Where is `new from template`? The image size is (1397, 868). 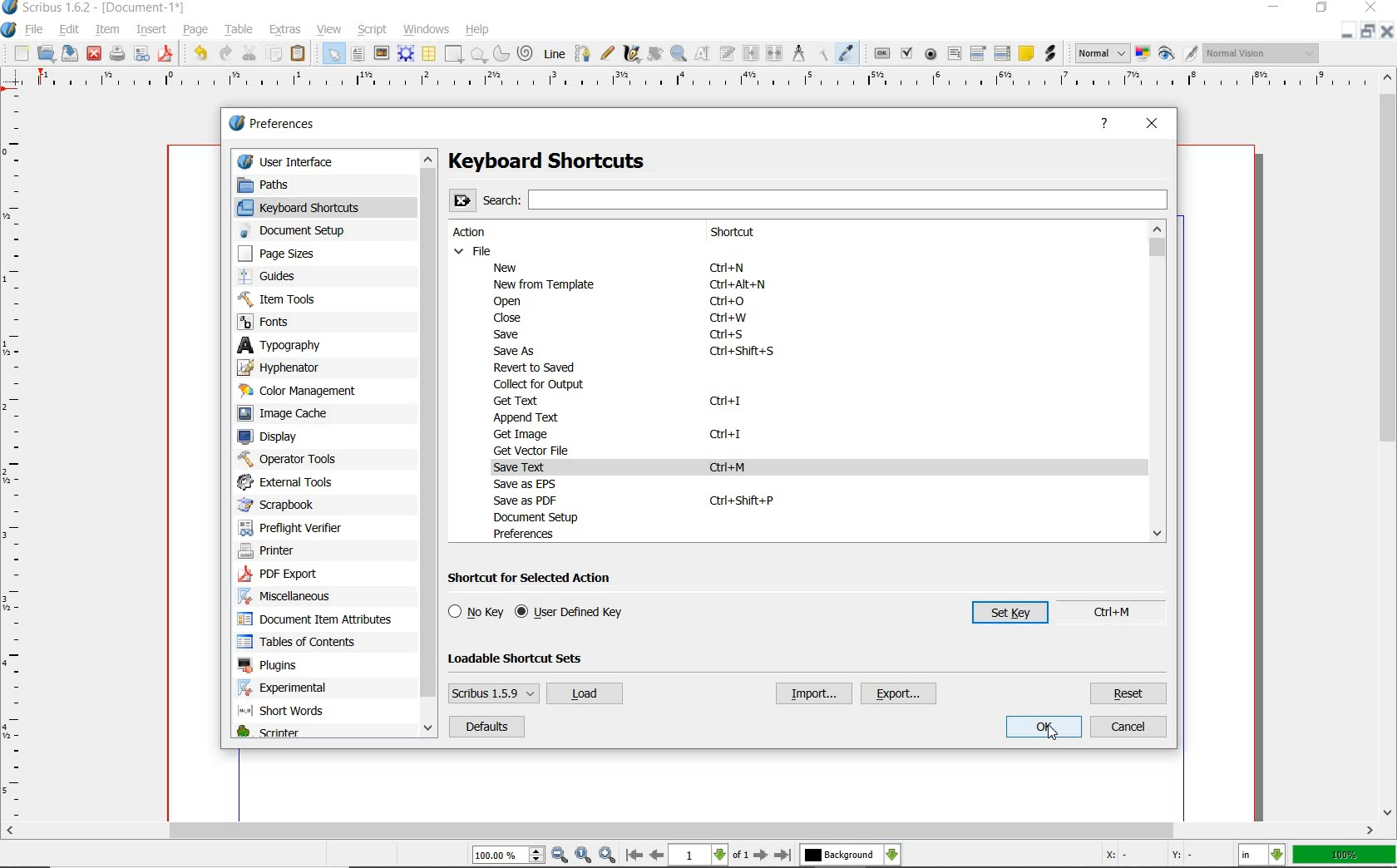 new from template is located at coordinates (547, 284).